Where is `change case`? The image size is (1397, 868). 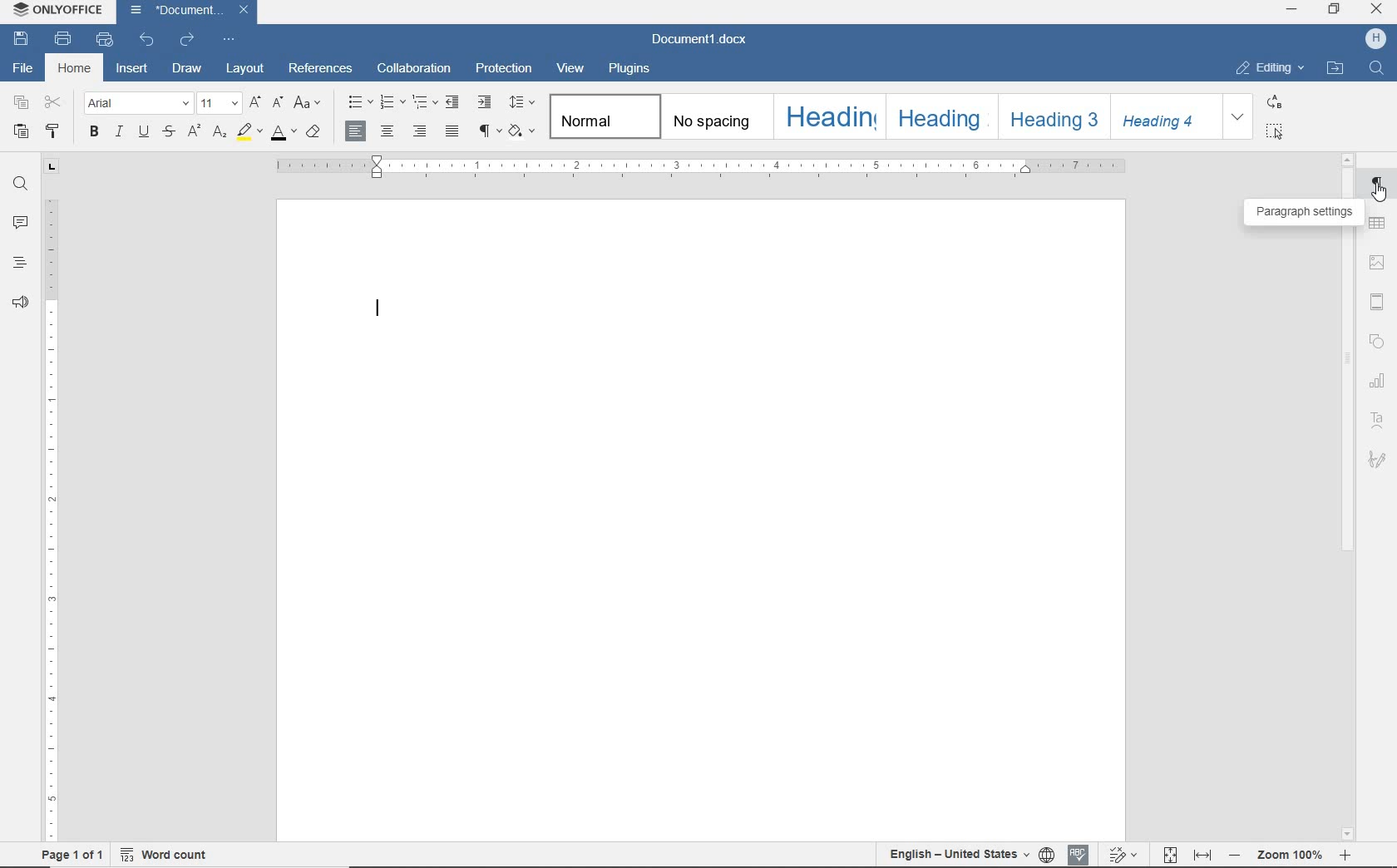
change case is located at coordinates (309, 104).